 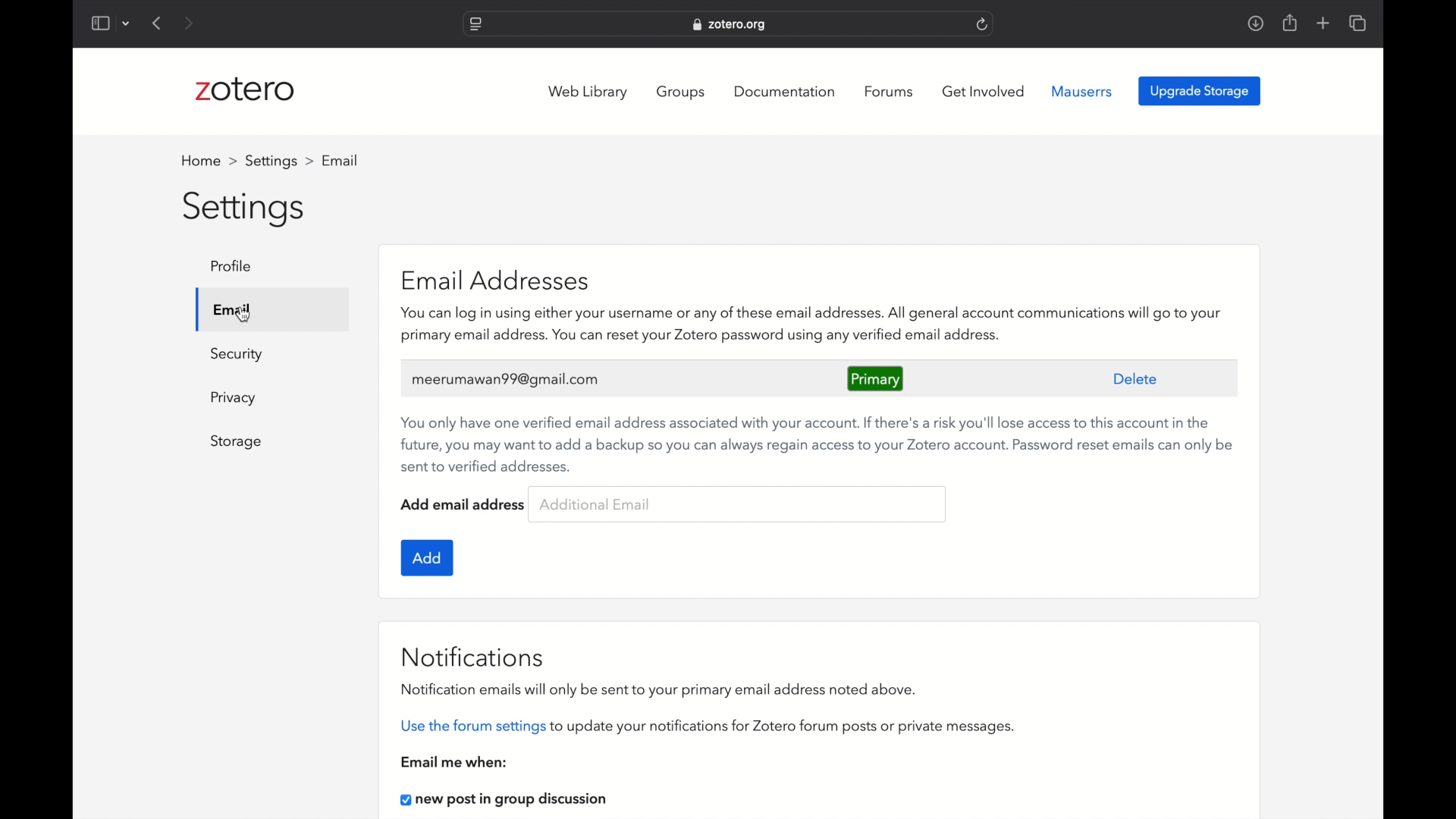 What do you see at coordinates (245, 92) in the screenshot?
I see `zotero` at bounding box center [245, 92].